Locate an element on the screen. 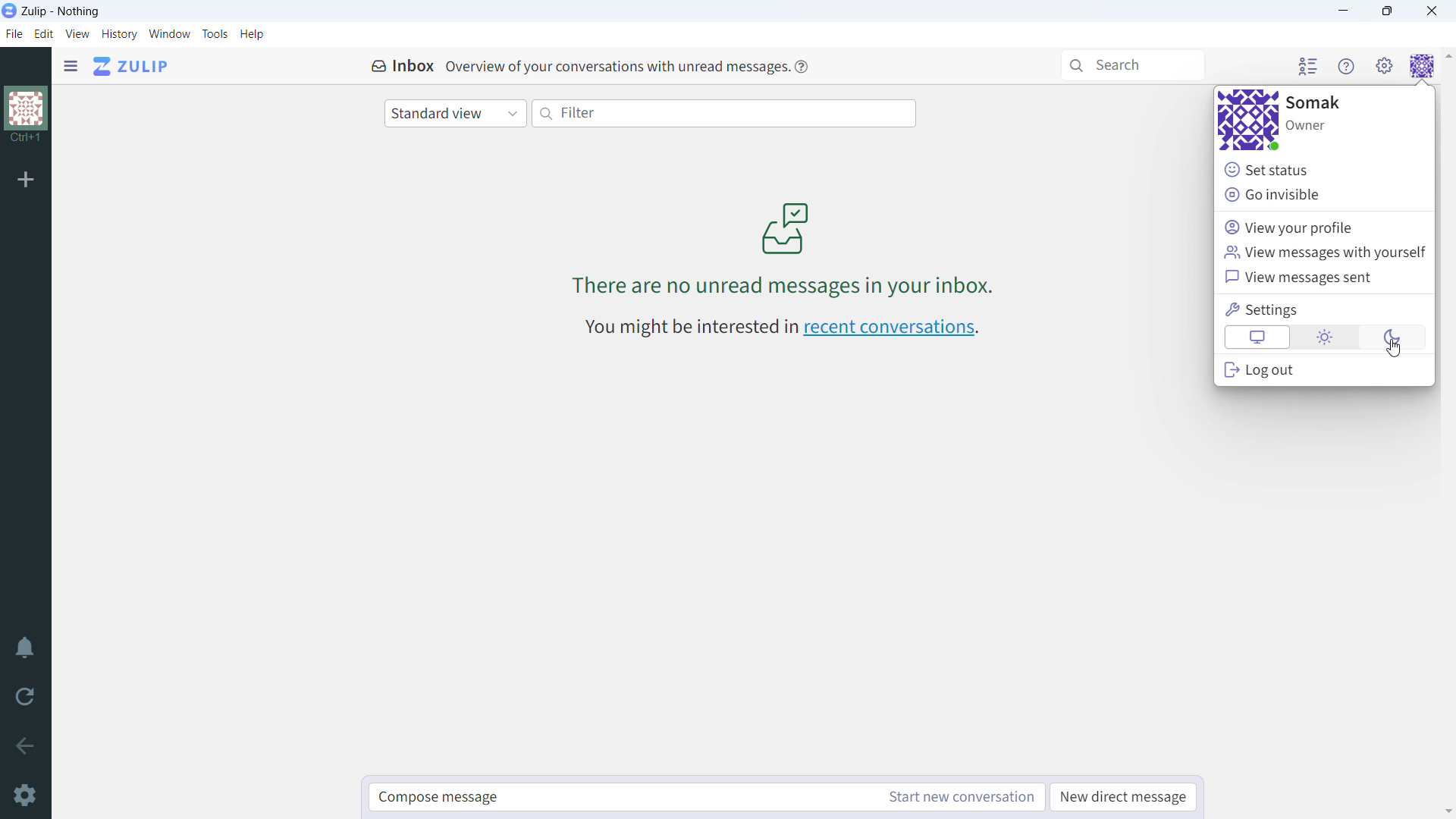 This screenshot has width=1456, height=819. filter is located at coordinates (723, 114).